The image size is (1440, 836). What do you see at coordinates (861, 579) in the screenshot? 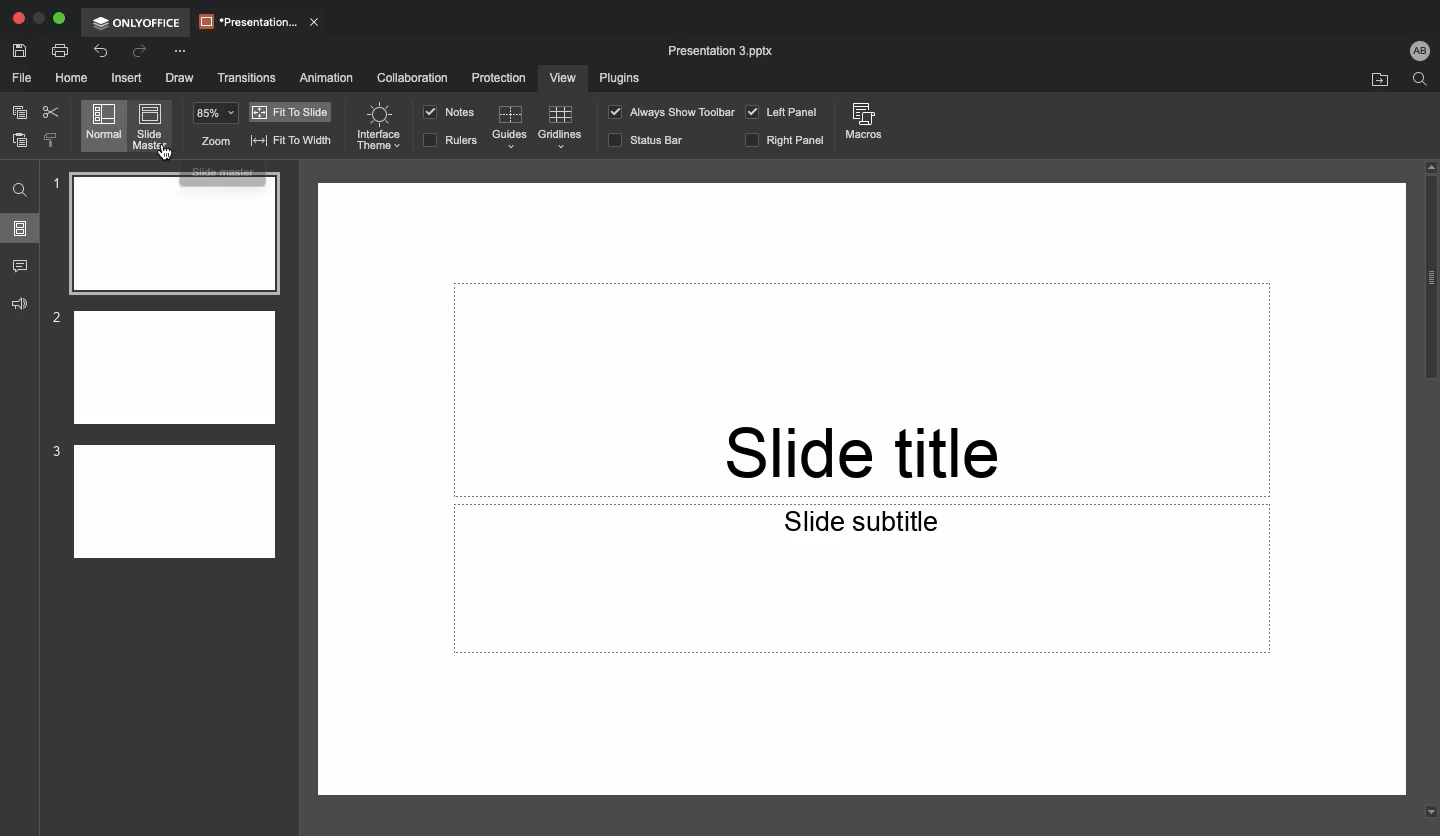
I see `Slide subtitle` at bounding box center [861, 579].